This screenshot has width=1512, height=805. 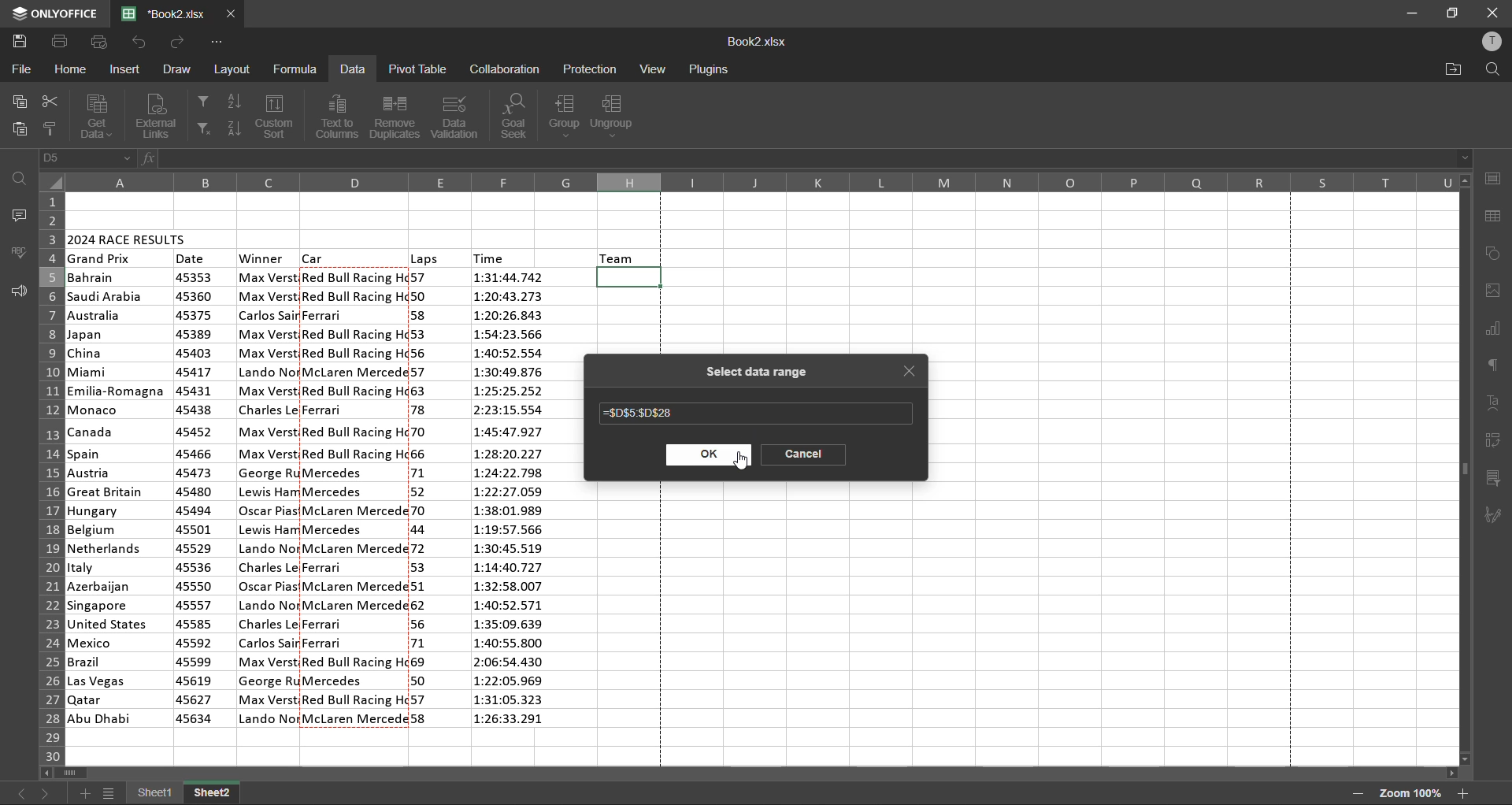 What do you see at coordinates (203, 129) in the screenshot?
I see `clear filter` at bounding box center [203, 129].